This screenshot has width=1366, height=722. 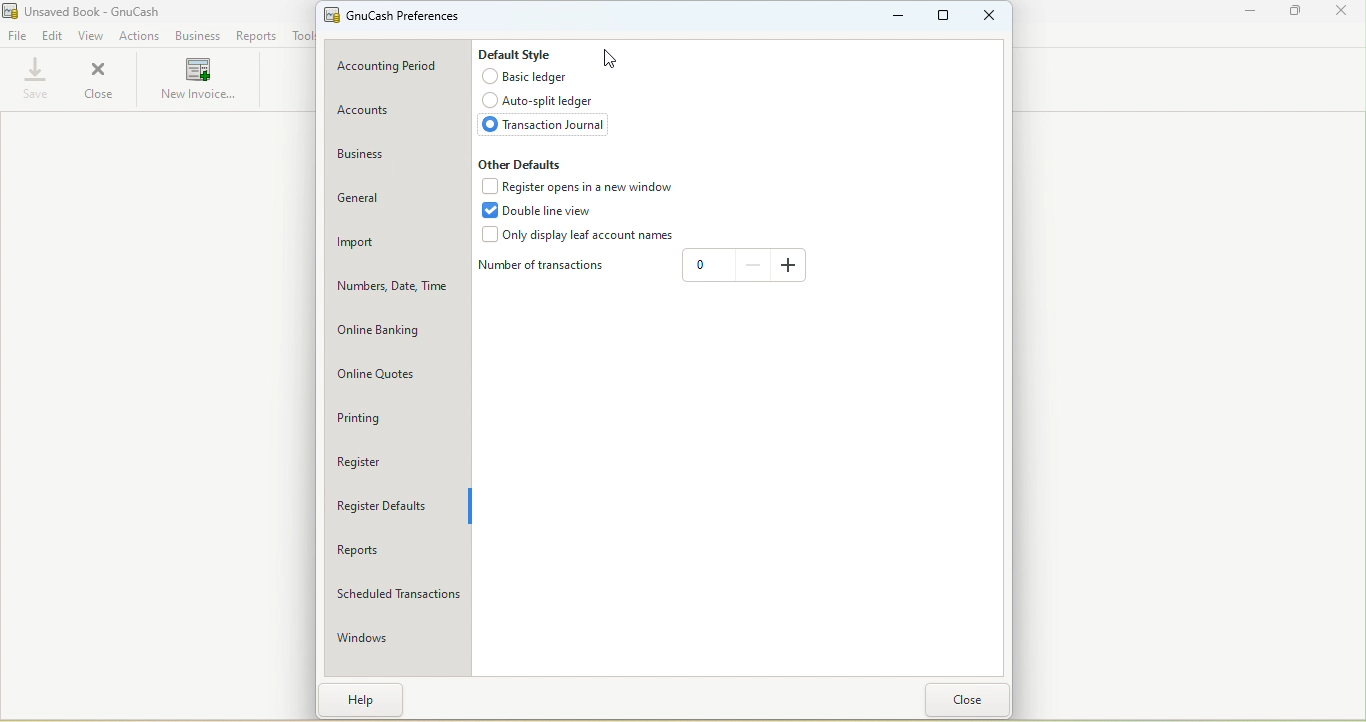 I want to click on Online banking, so click(x=400, y=334).